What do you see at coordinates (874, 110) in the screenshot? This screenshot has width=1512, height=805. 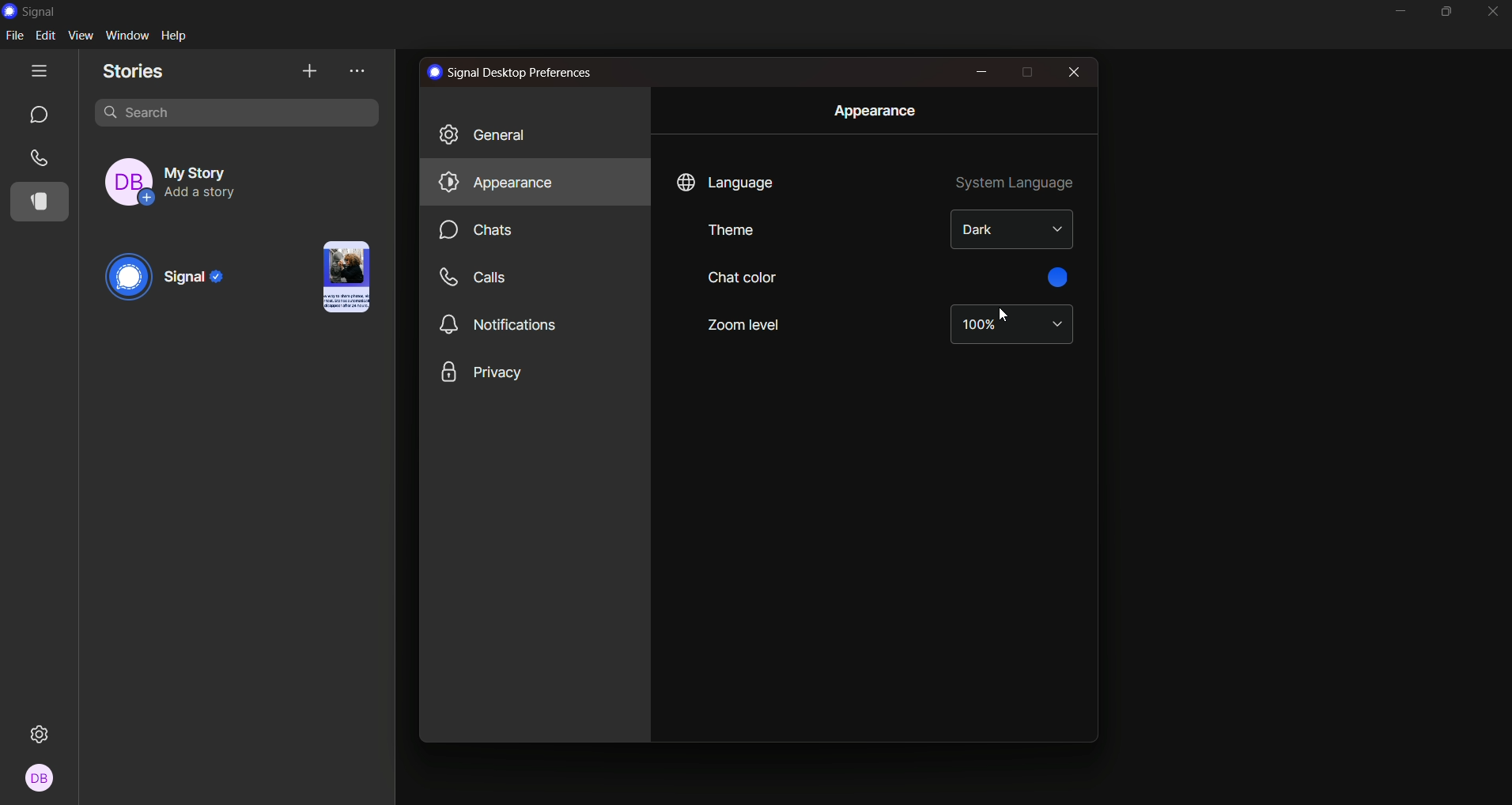 I see `appearance` at bounding box center [874, 110].